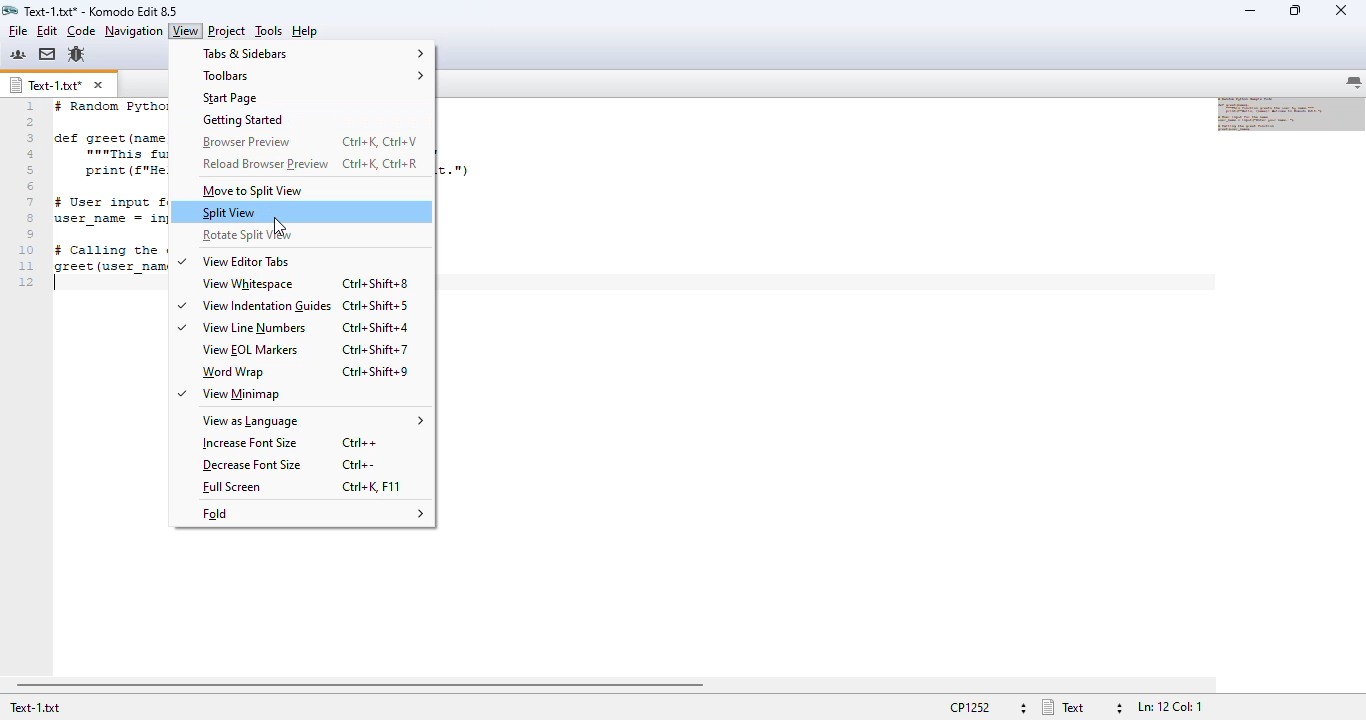  What do you see at coordinates (376, 282) in the screenshot?
I see `shortcut for view whitespace` at bounding box center [376, 282].